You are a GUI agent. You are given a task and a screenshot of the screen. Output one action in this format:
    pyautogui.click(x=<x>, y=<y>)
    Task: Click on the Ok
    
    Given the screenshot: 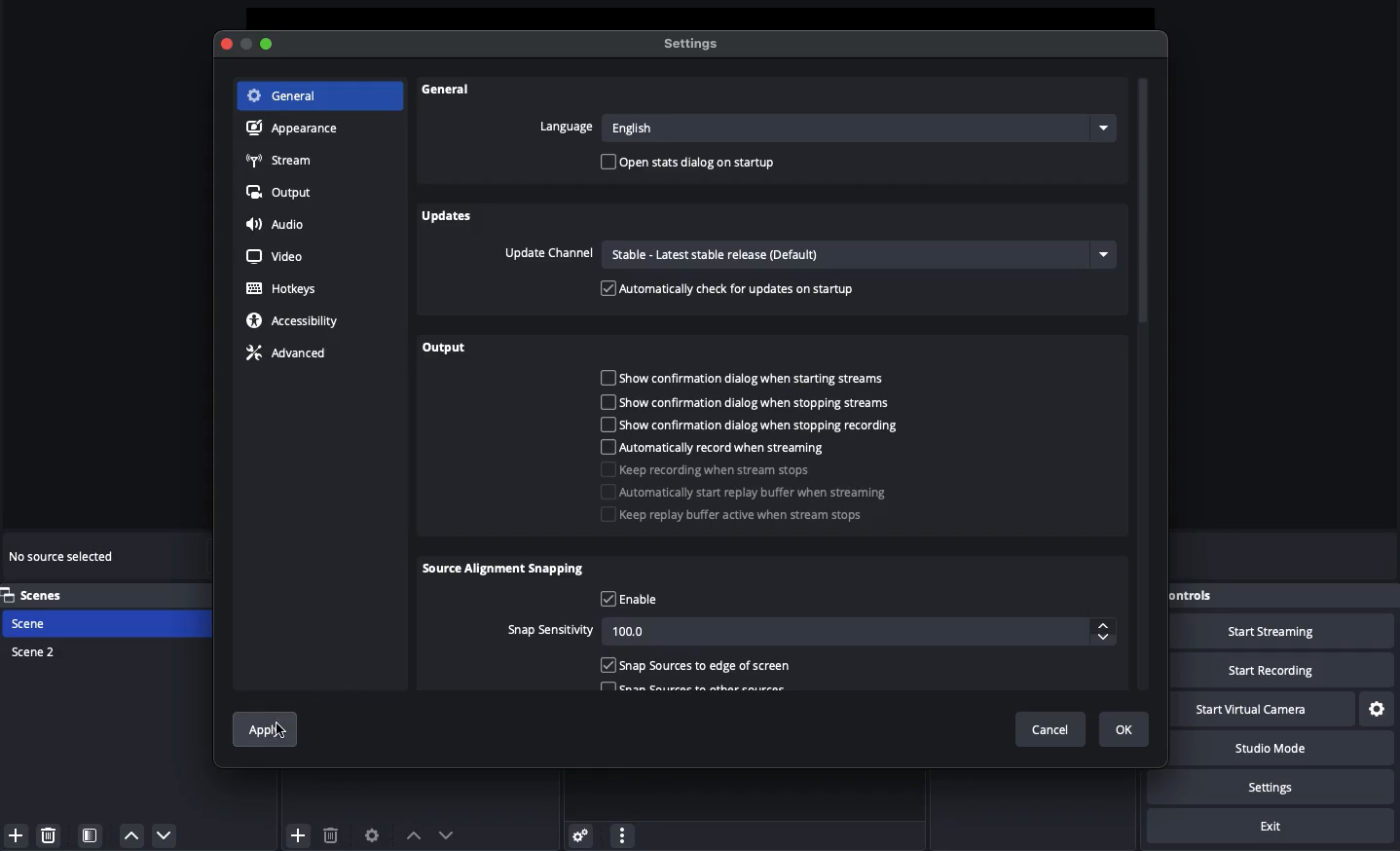 What is the action you would take?
    pyautogui.click(x=1125, y=728)
    